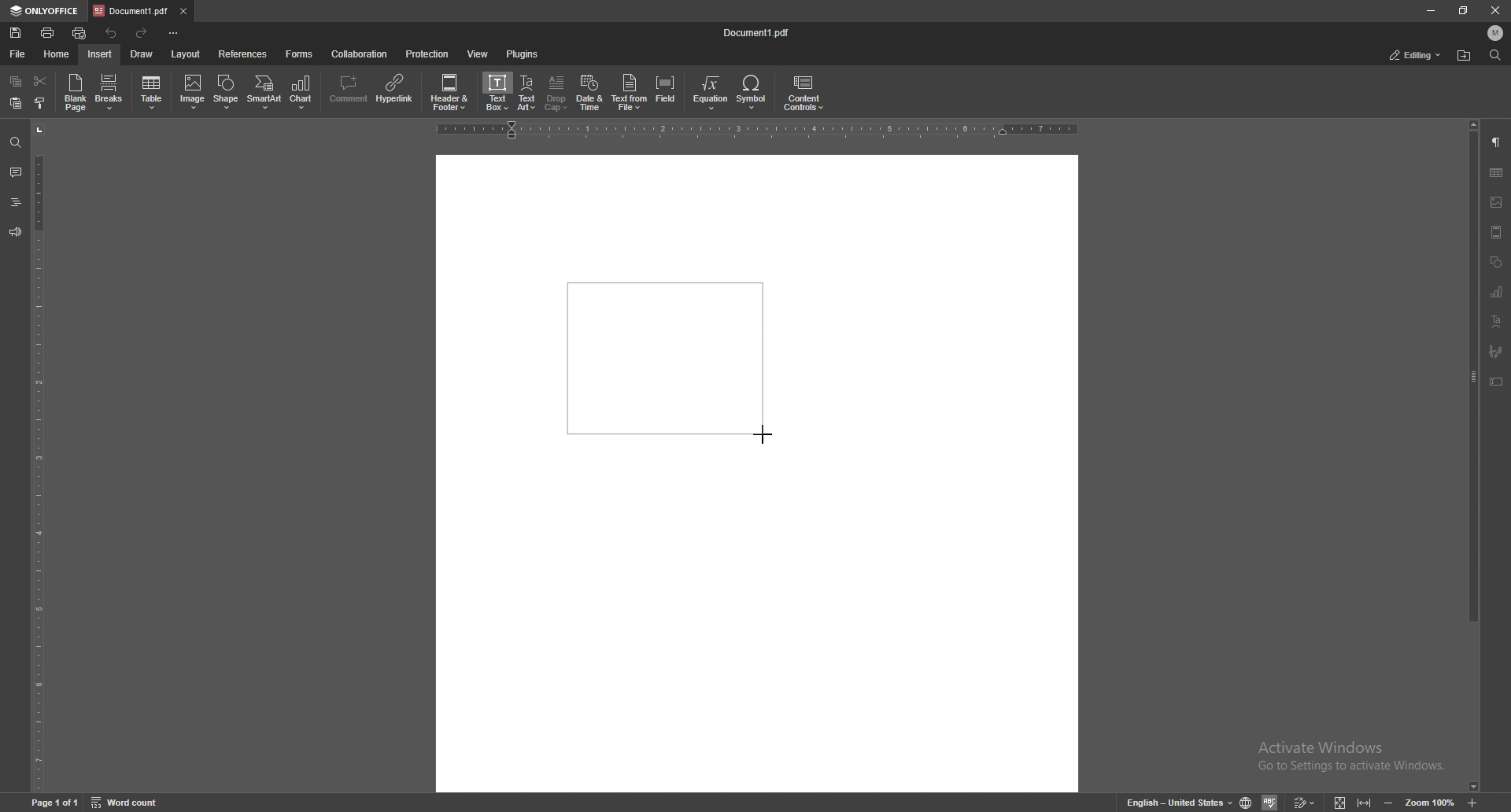 The height and width of the screenshot is (812, 1511). I want to click on tab, so click(131, 11).